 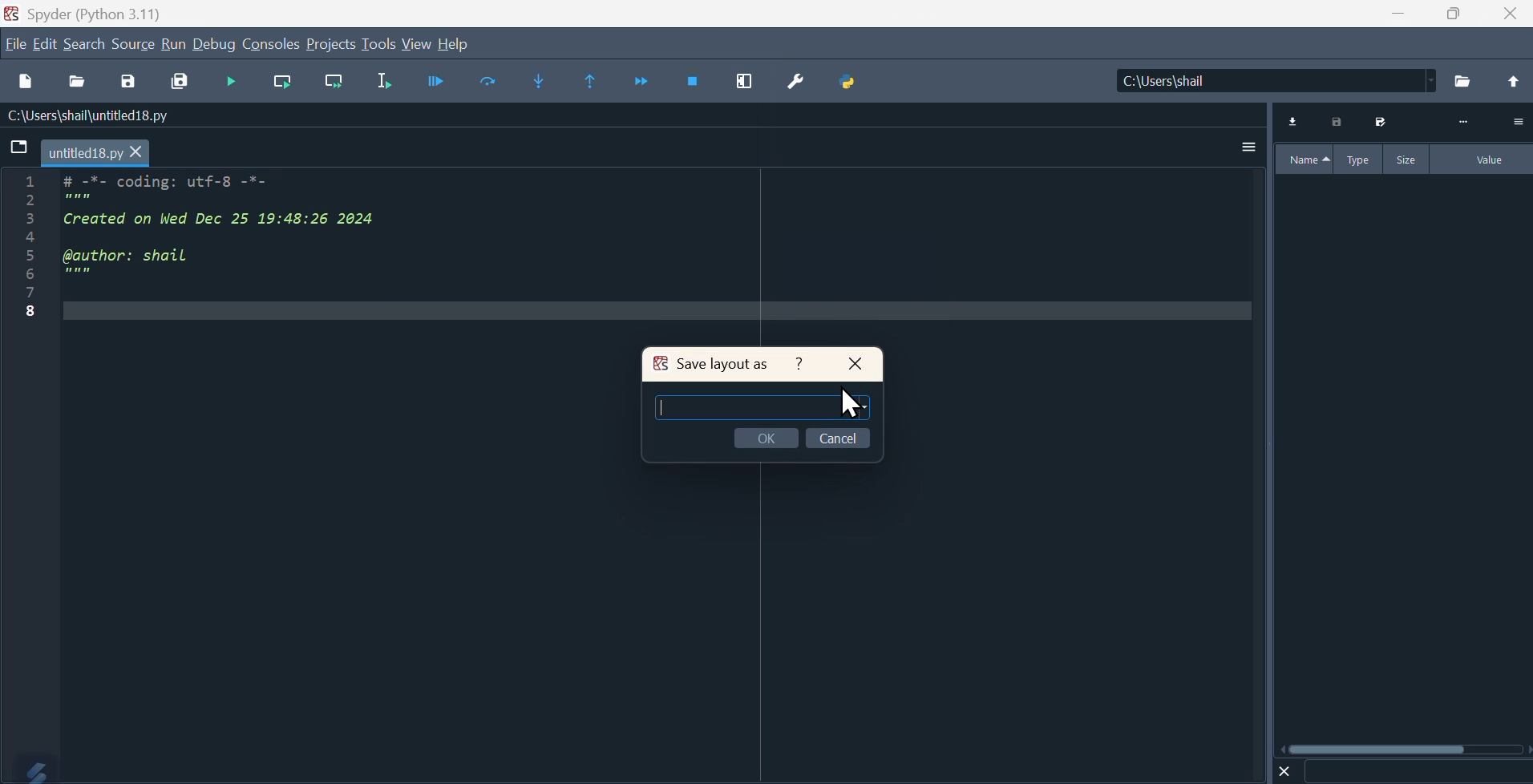 I want to click on Stop debugging, so click(x=694, y=83).